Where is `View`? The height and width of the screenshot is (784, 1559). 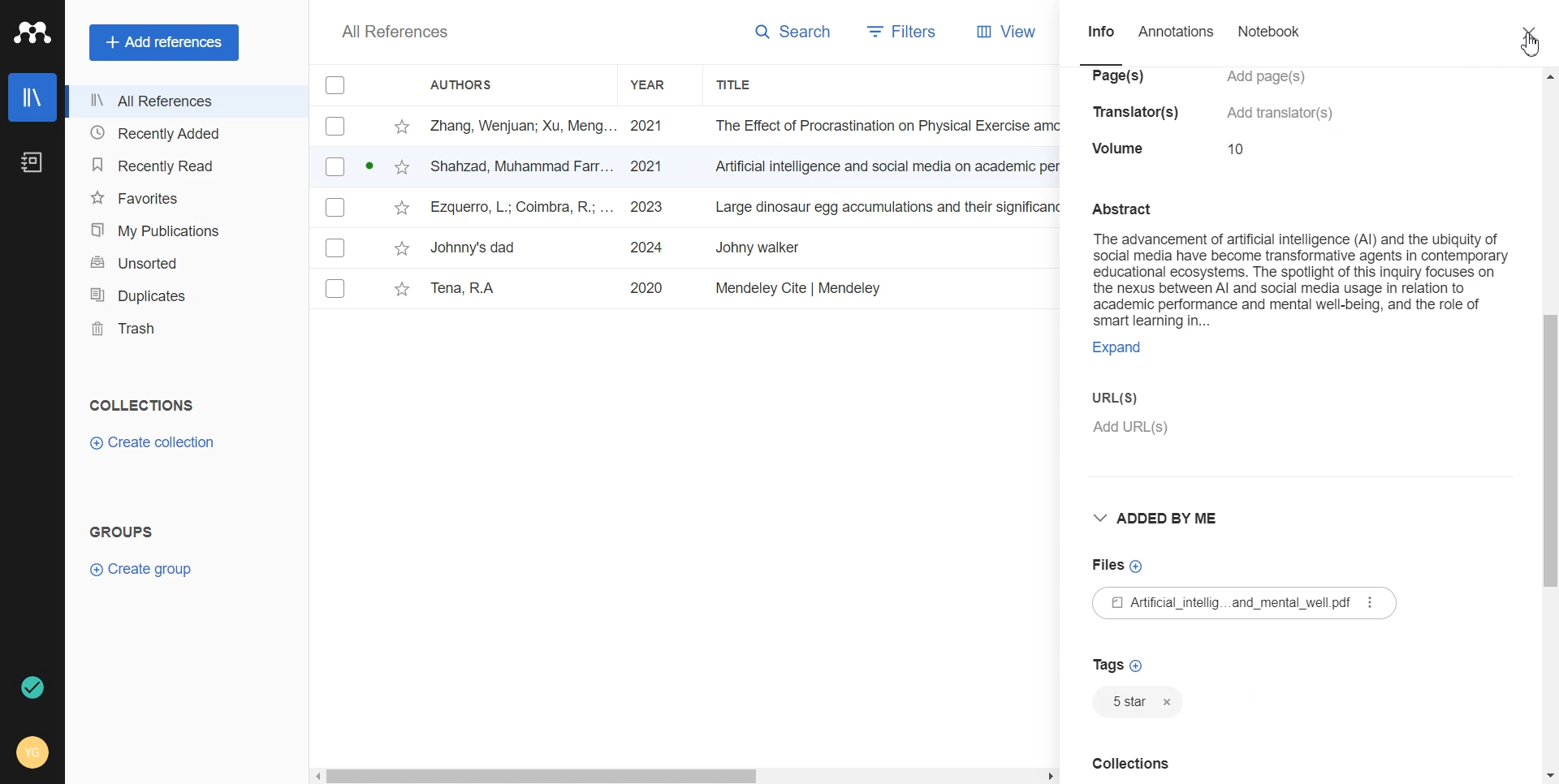 View is located at coordinates (1000, 32).